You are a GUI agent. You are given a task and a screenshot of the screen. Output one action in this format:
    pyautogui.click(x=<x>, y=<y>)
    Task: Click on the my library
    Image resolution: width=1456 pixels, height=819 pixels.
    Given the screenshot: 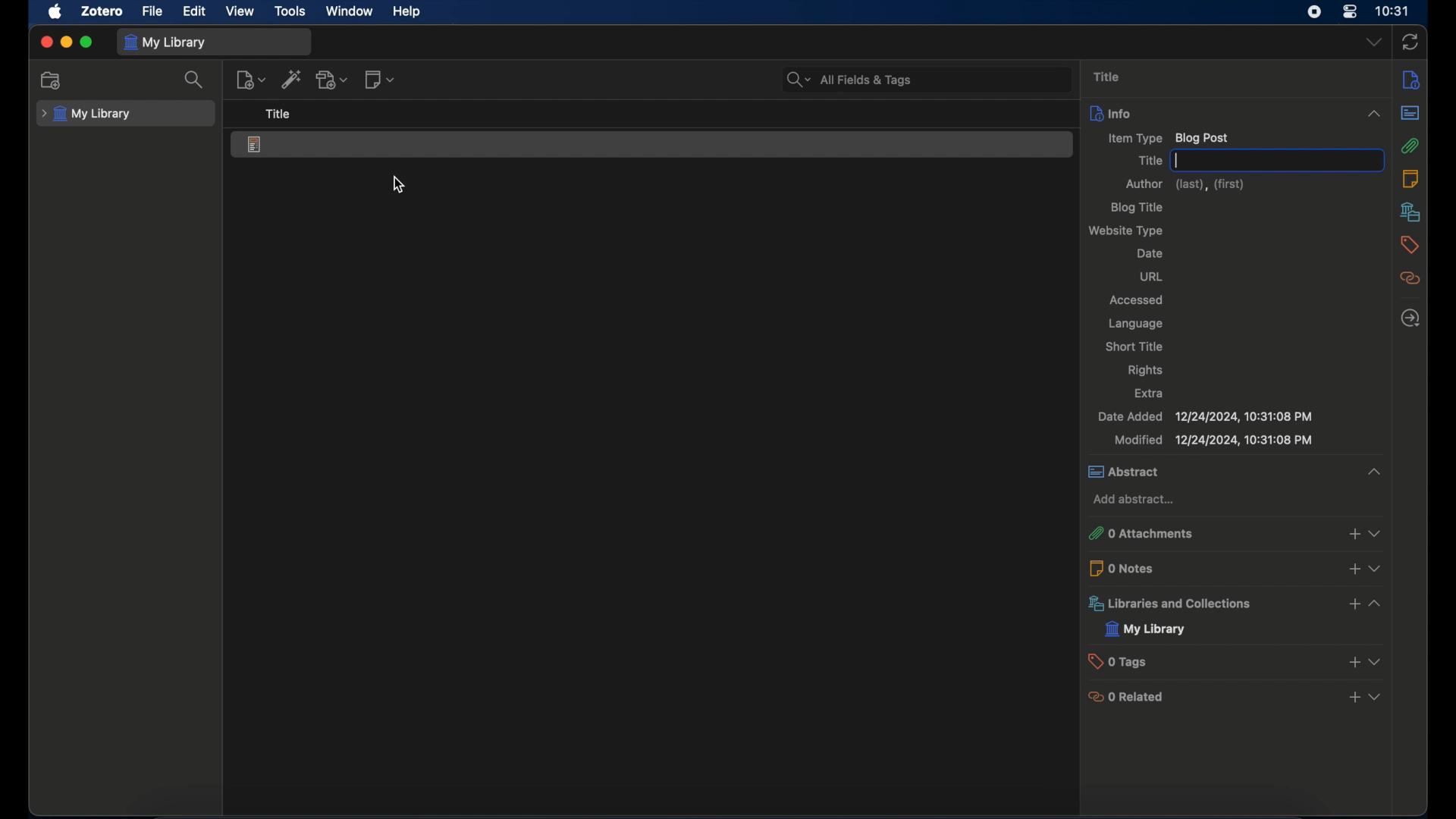 What is the action you would take?
    pyautogui.click(x=1146, y=629)
    